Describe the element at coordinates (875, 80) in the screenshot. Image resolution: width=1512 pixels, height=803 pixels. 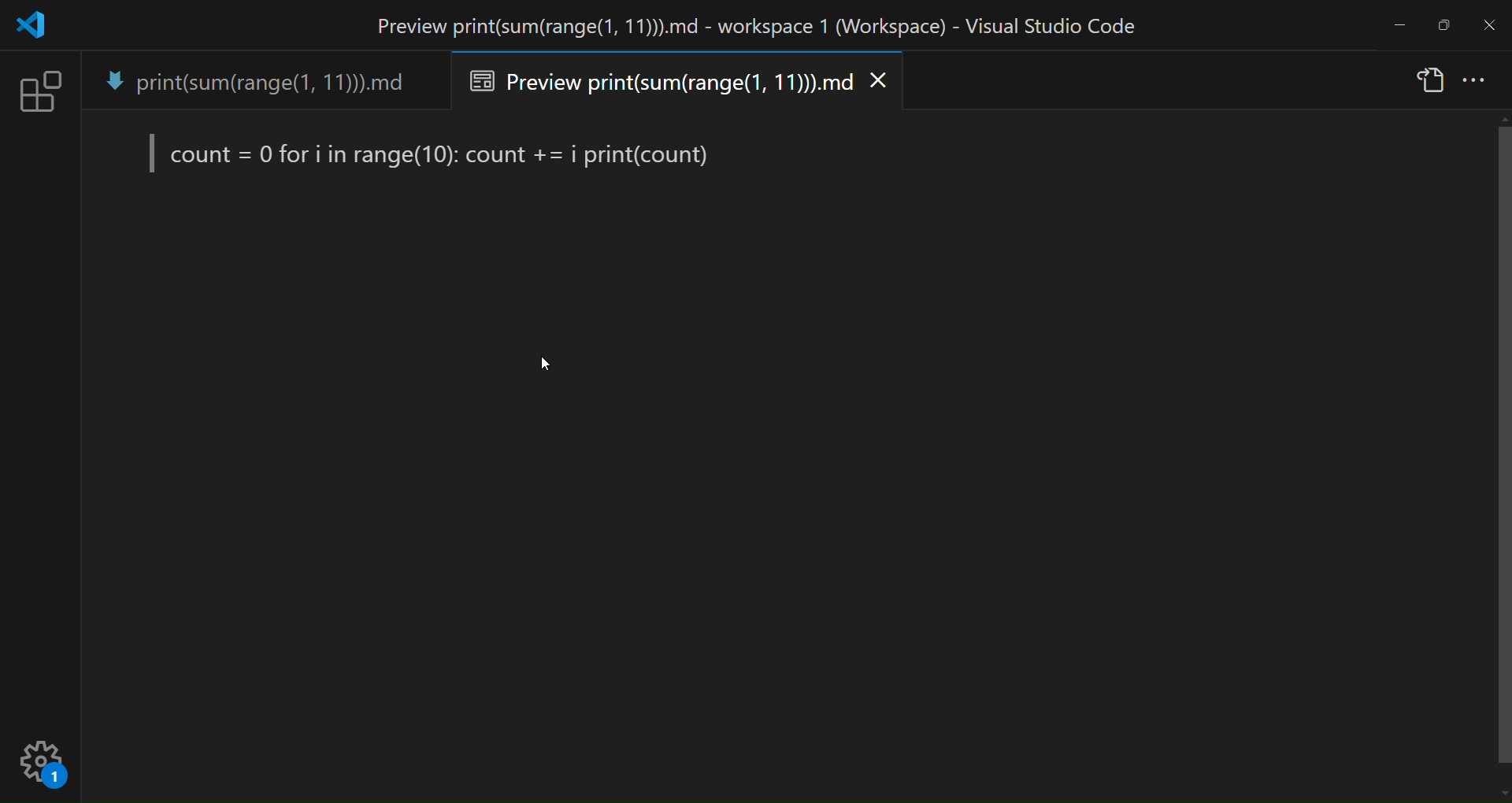
I see `close preview` at that location.